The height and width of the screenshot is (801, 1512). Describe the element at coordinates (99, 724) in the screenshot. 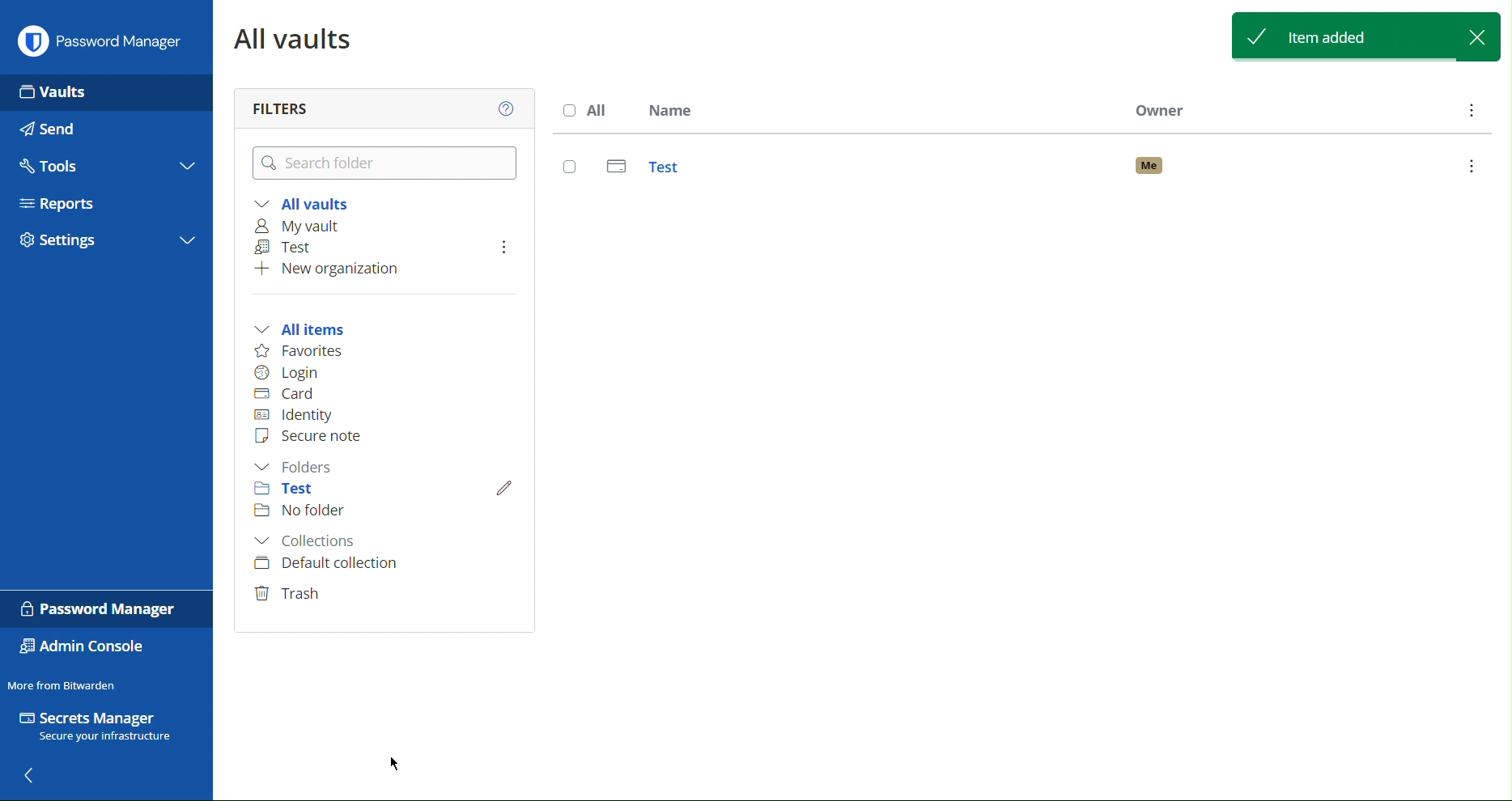

I see `Secrets Manager` at that location.